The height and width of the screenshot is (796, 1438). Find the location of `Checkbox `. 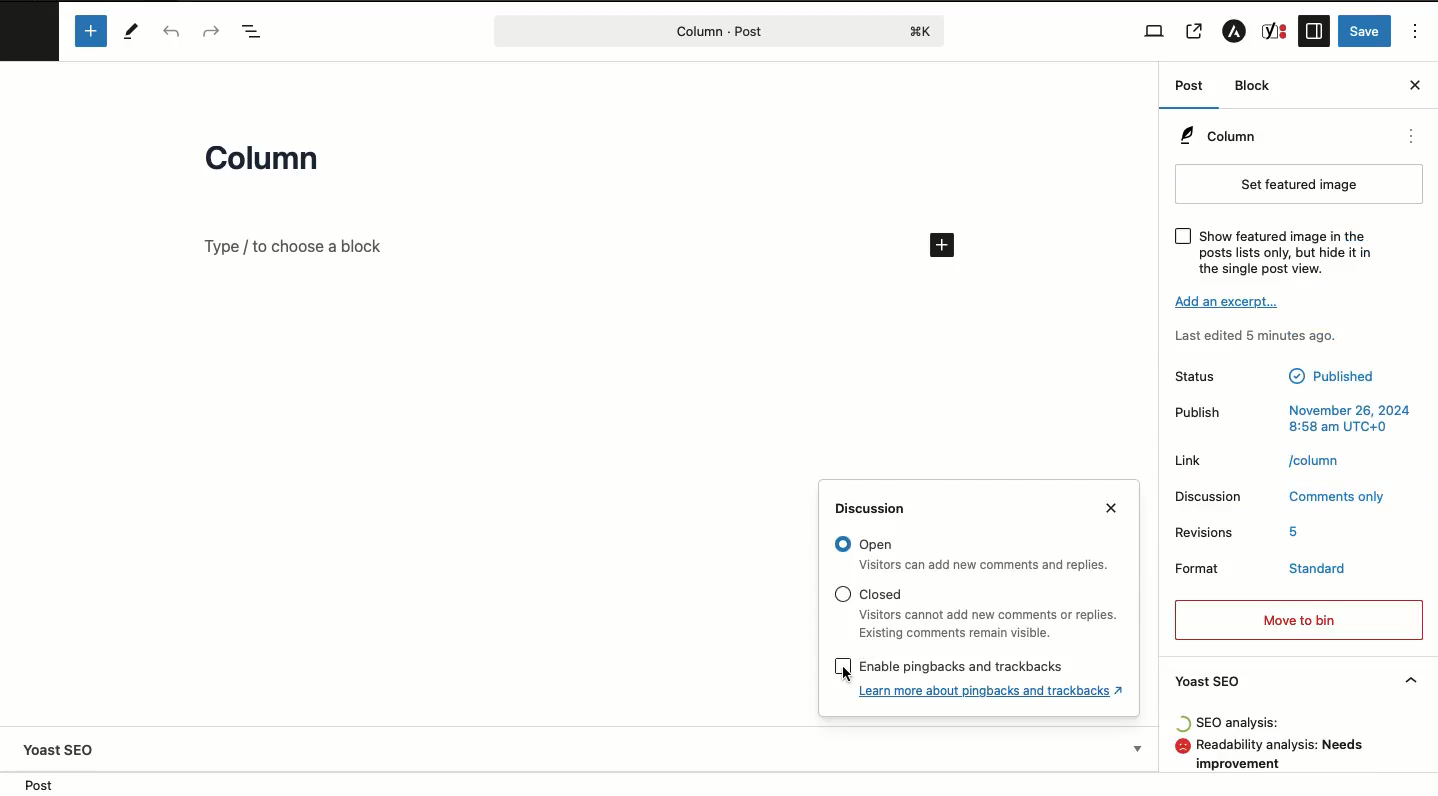

Checkbox  is located at coordinates (844, 666).